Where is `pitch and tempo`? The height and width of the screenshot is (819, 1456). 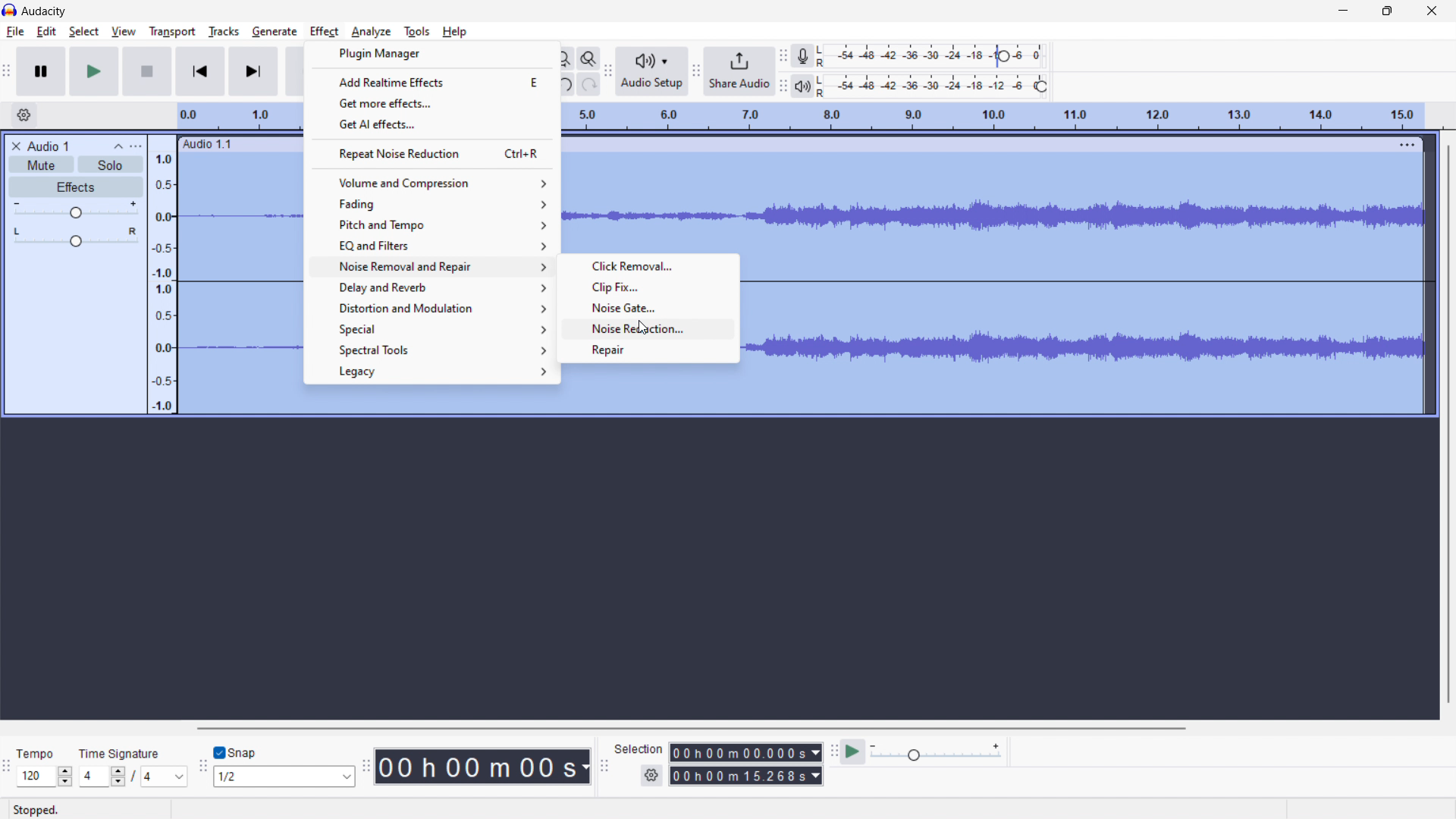
pitch and tempo is located at coordinates (431, 224).